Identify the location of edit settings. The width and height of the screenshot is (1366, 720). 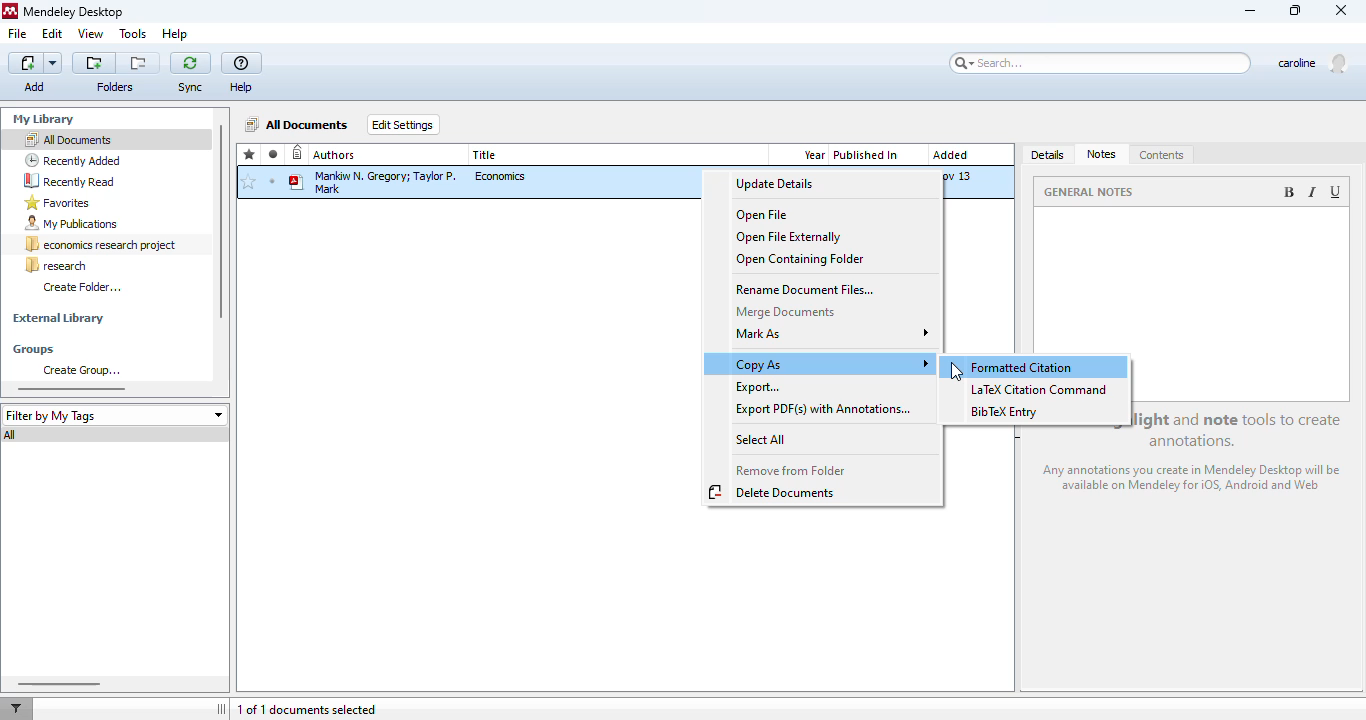
(404, 124).